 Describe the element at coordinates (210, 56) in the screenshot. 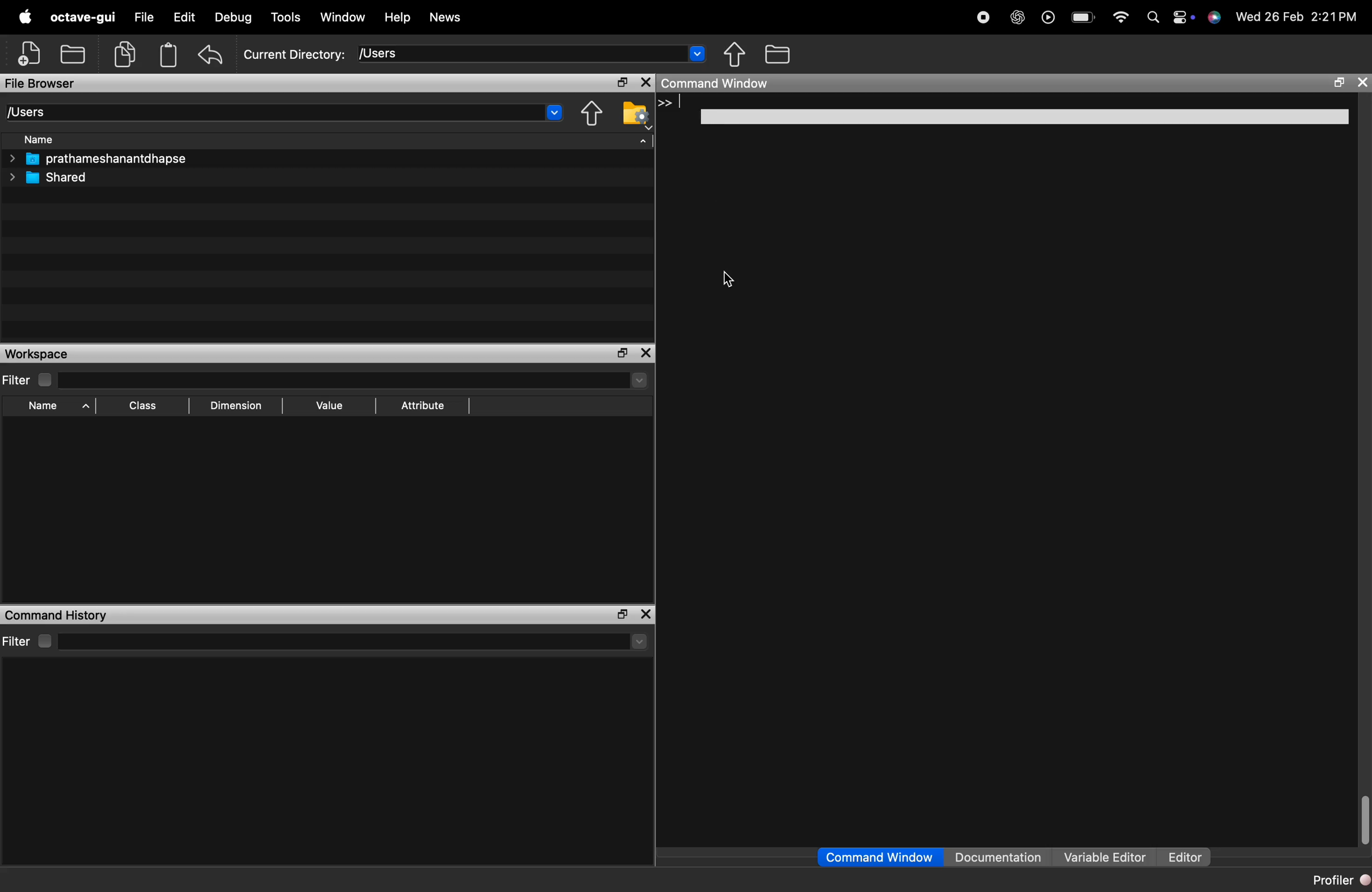

I see `undo` at that location.